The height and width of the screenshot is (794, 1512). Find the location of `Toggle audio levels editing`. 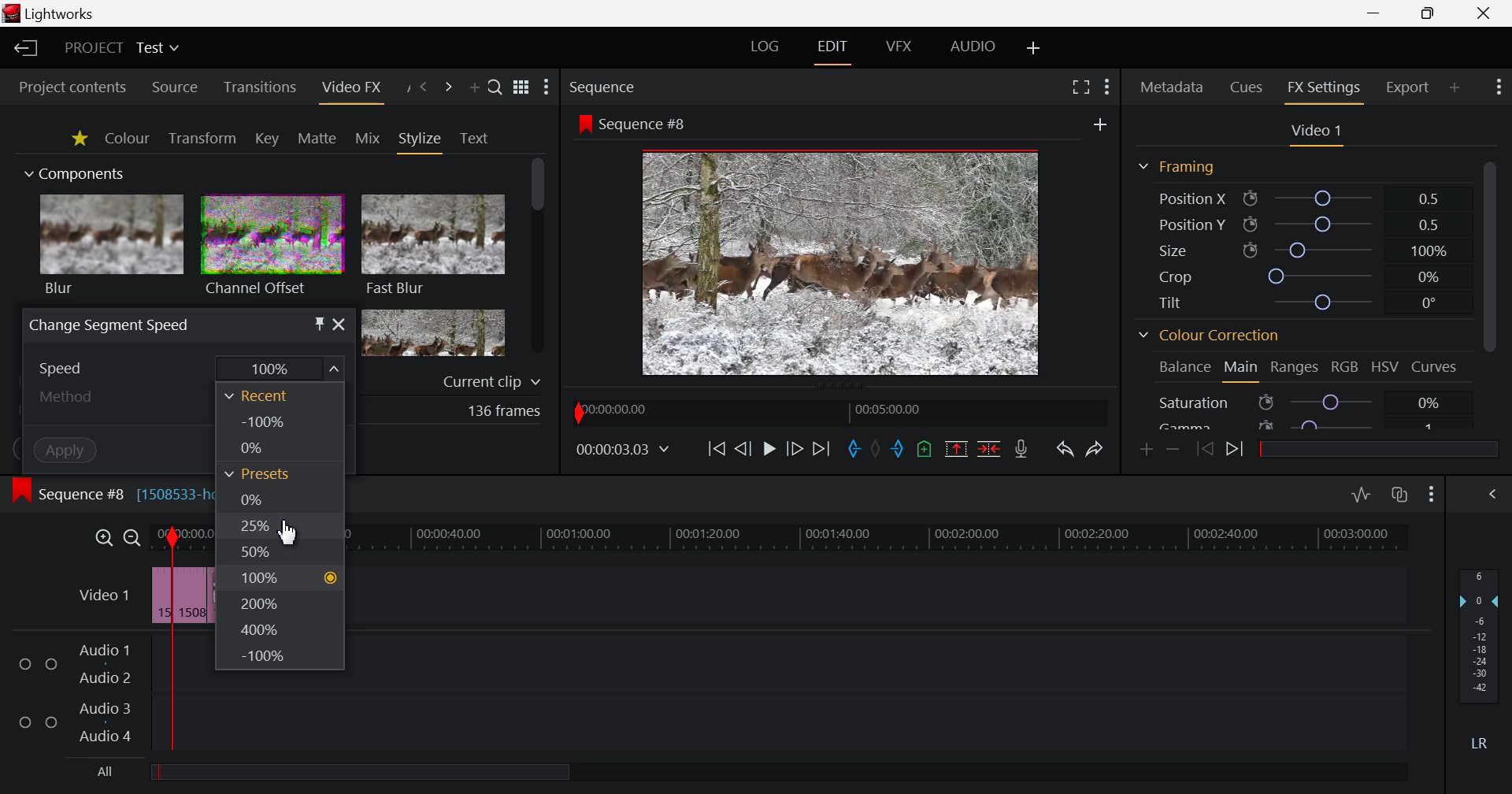

Toggle audio levels editing is located at coordinates (1361, 495).